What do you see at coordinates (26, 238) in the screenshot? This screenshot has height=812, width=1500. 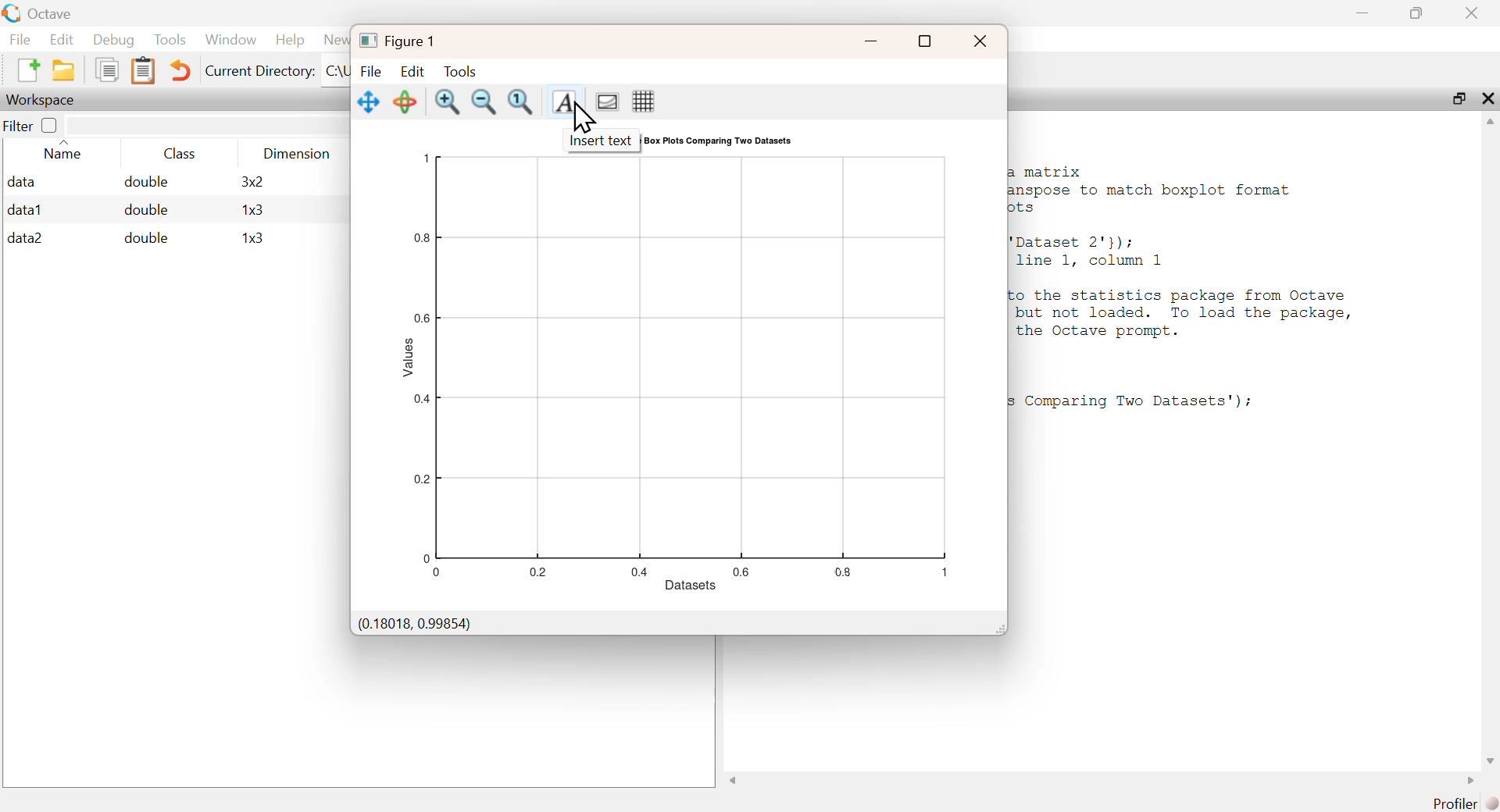 I see `data2` at bounding box center [26, 238].